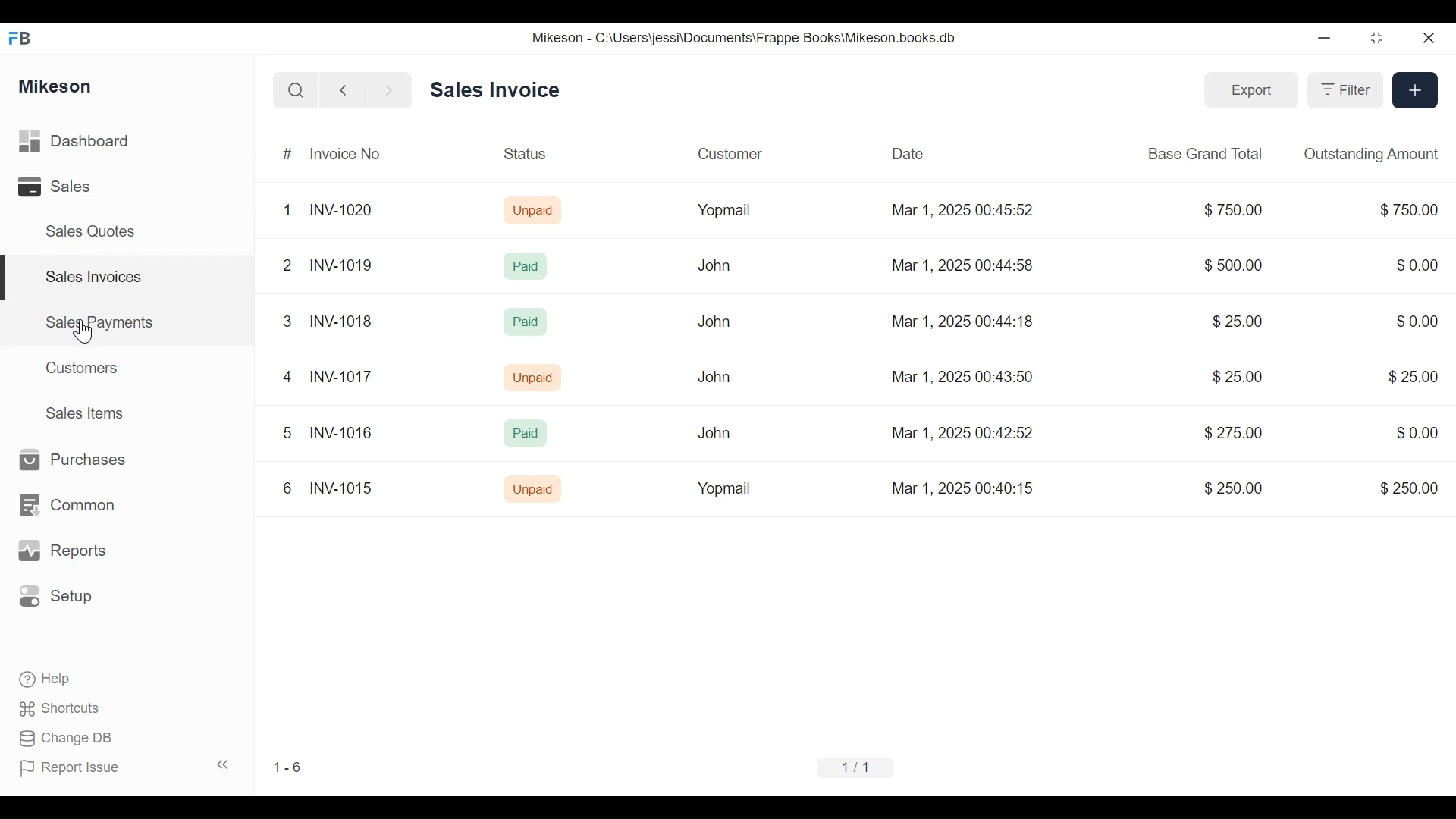 Image resolution: width=1456 pixels, height=819 pixels. I want to click on Mar 1, 2025 00:44:18, so click(962, 322).